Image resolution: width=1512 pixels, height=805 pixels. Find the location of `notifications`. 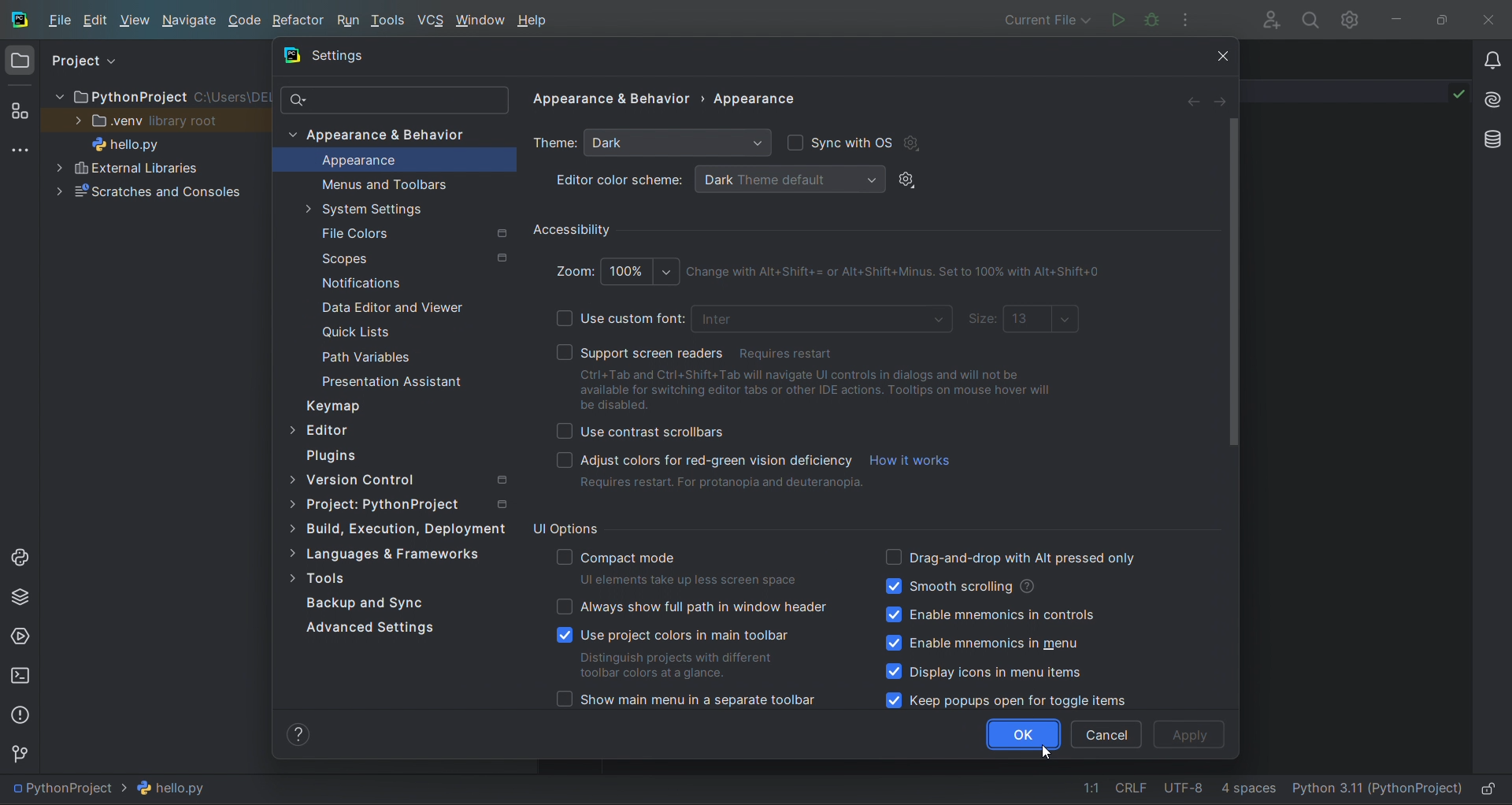

notifications is located at coordinates (1492, 61).